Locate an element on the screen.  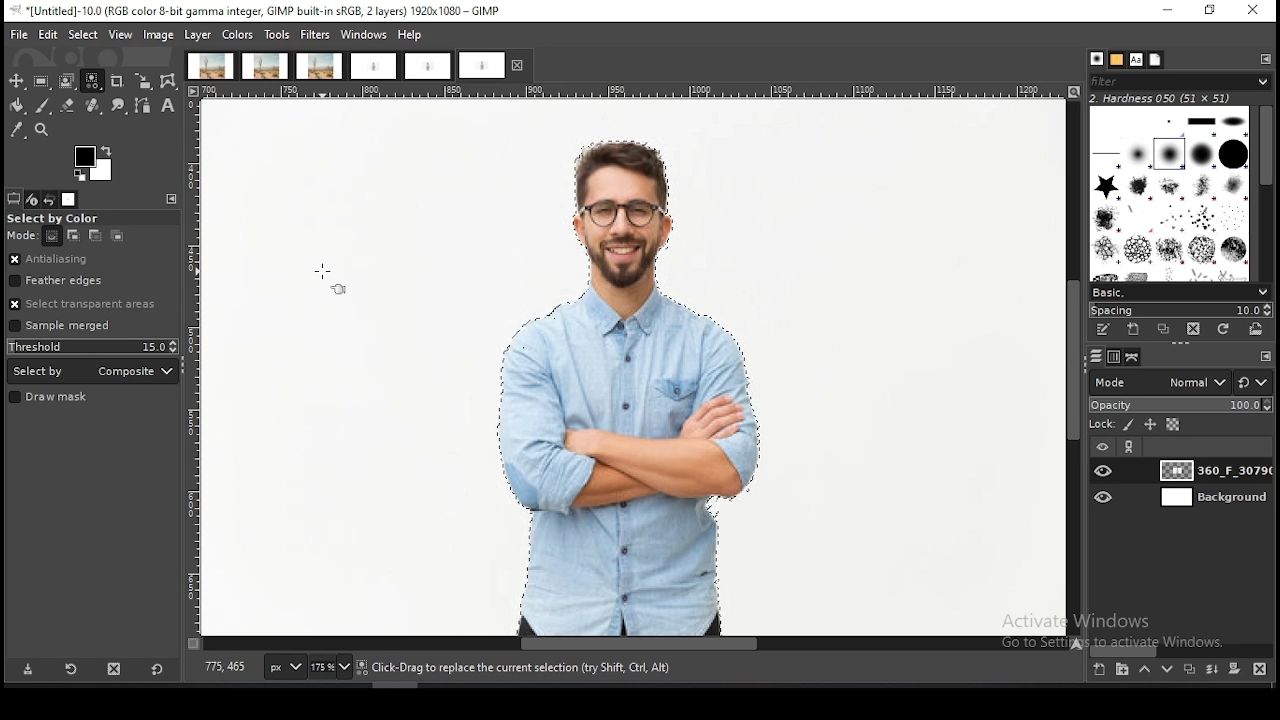
configure this tab is located at coordinates (1263, 356).